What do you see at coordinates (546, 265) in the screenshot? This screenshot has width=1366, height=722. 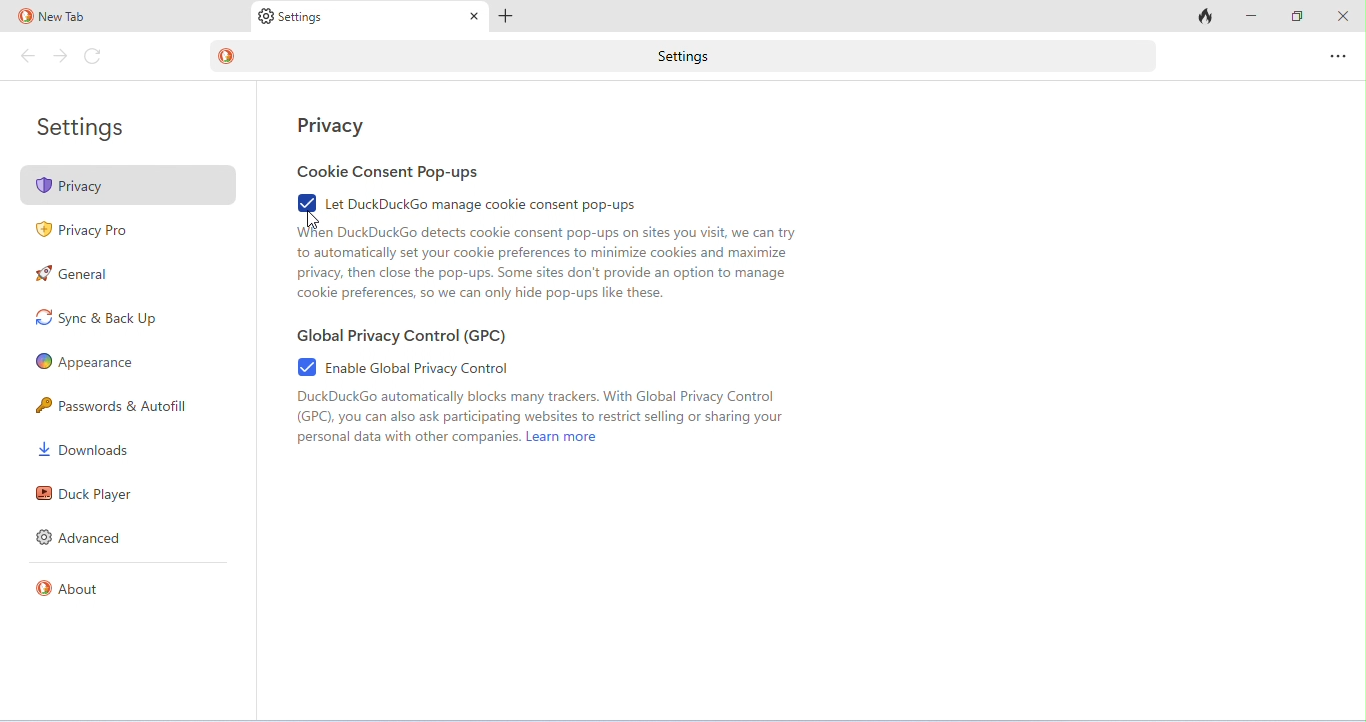 I see `When Duckduckgo detects cookie constant pop ups on sites you visit, we can try to automatically set your cookie performance to minimise cookies and maximise privacy then close the pop ups Some sites don't provide an option to manage Cookie preferences so we can only hide Pop ups like this` at bounding box center [546, 265].